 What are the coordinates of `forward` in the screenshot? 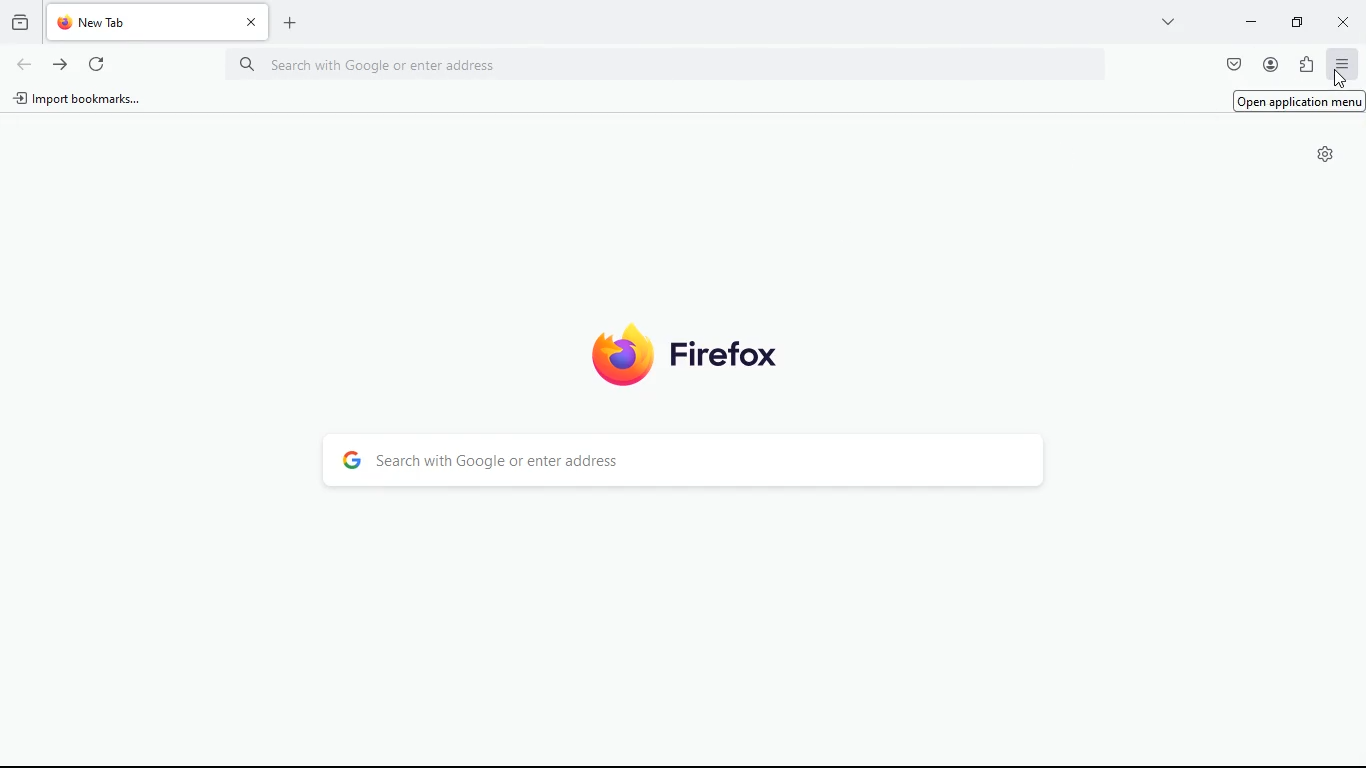 It's located at (59, 63).